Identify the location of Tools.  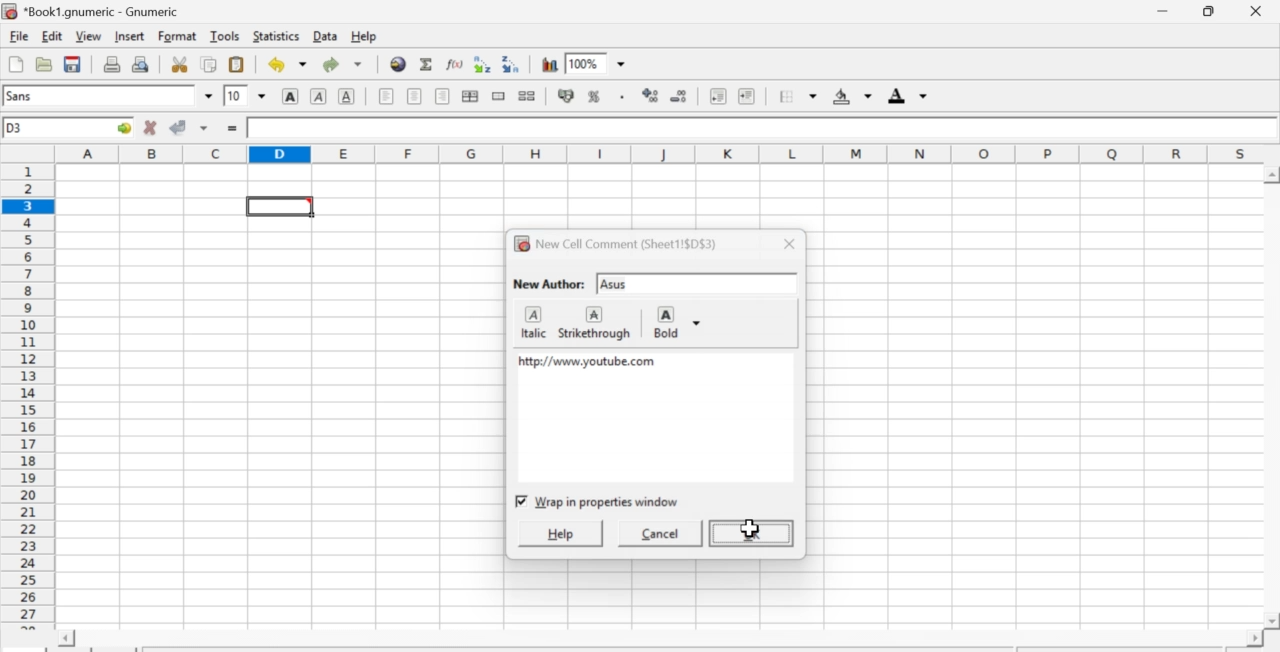
(227, 37).